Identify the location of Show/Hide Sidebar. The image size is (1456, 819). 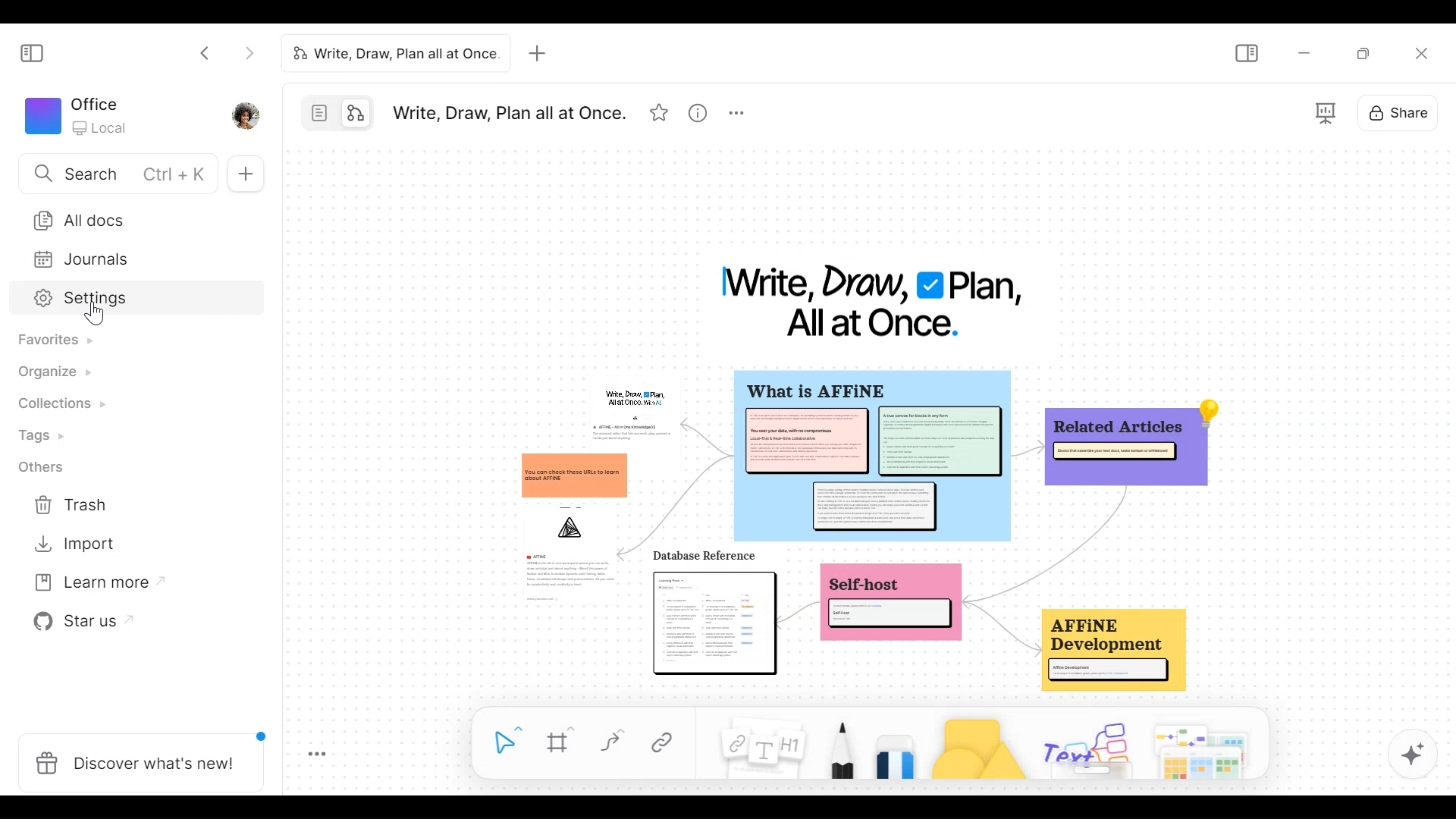
(30, 52).